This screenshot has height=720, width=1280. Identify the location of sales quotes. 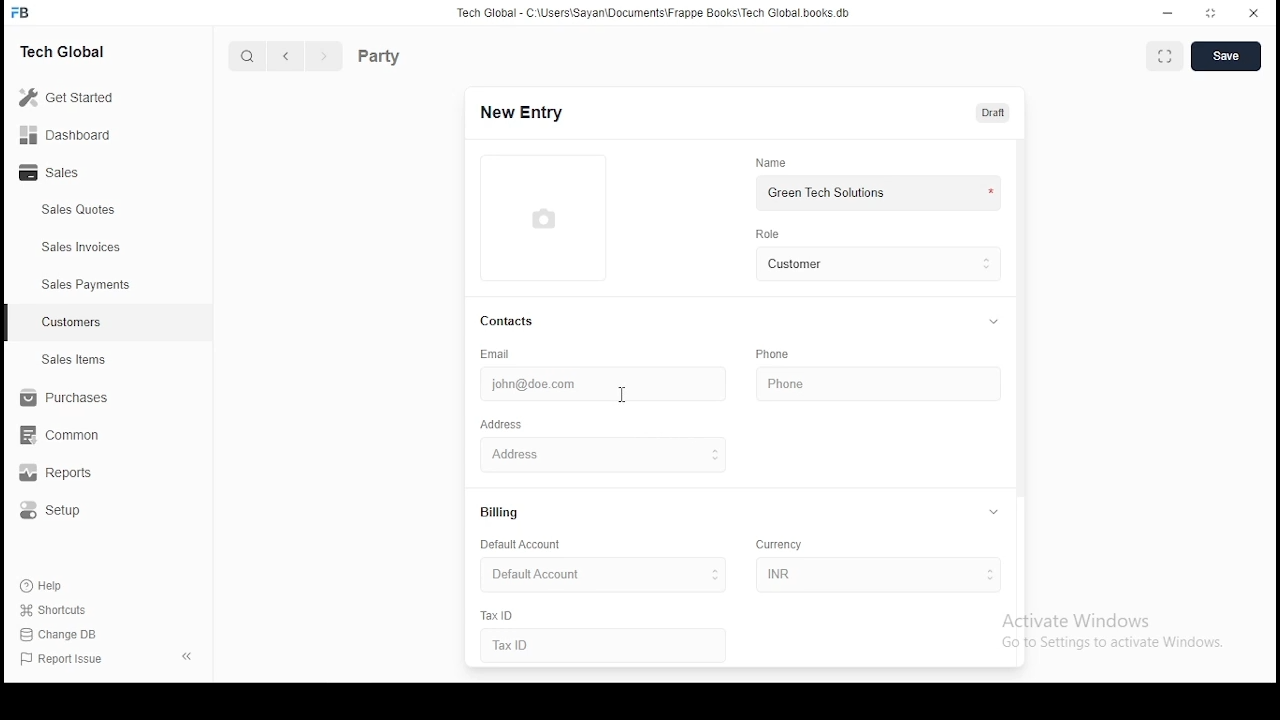
(81, 210).